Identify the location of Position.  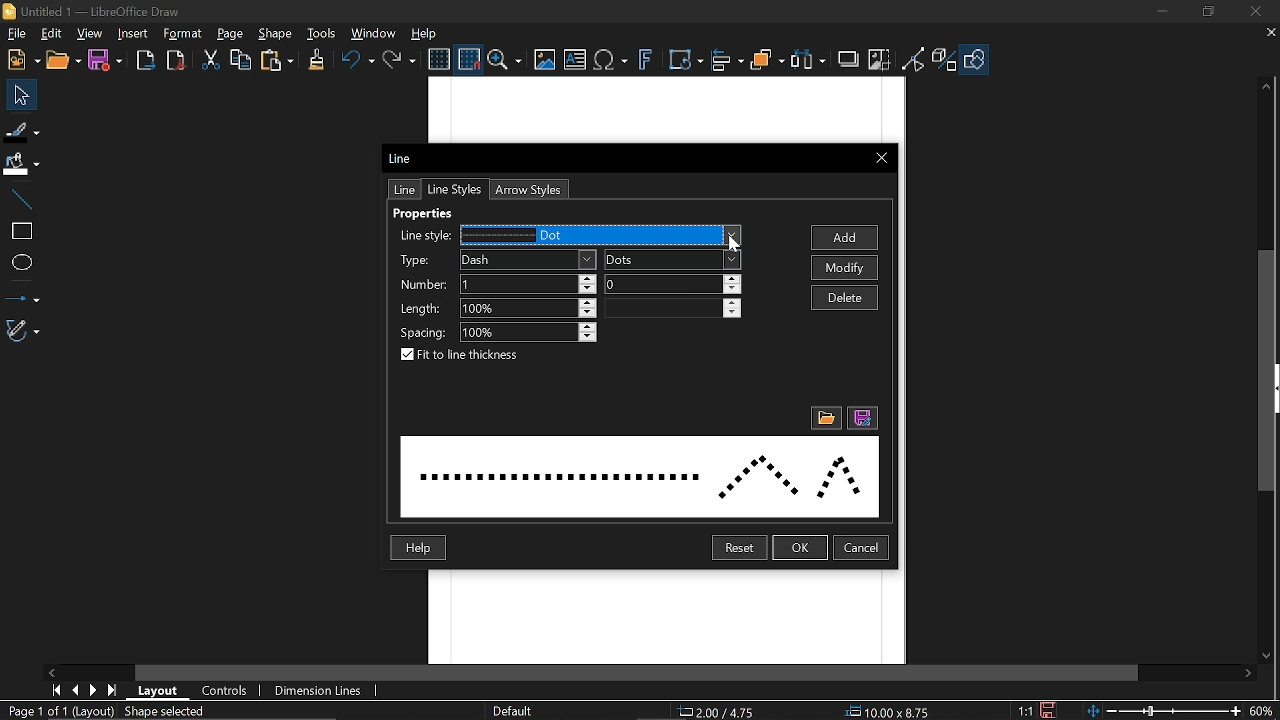
(720, 712).